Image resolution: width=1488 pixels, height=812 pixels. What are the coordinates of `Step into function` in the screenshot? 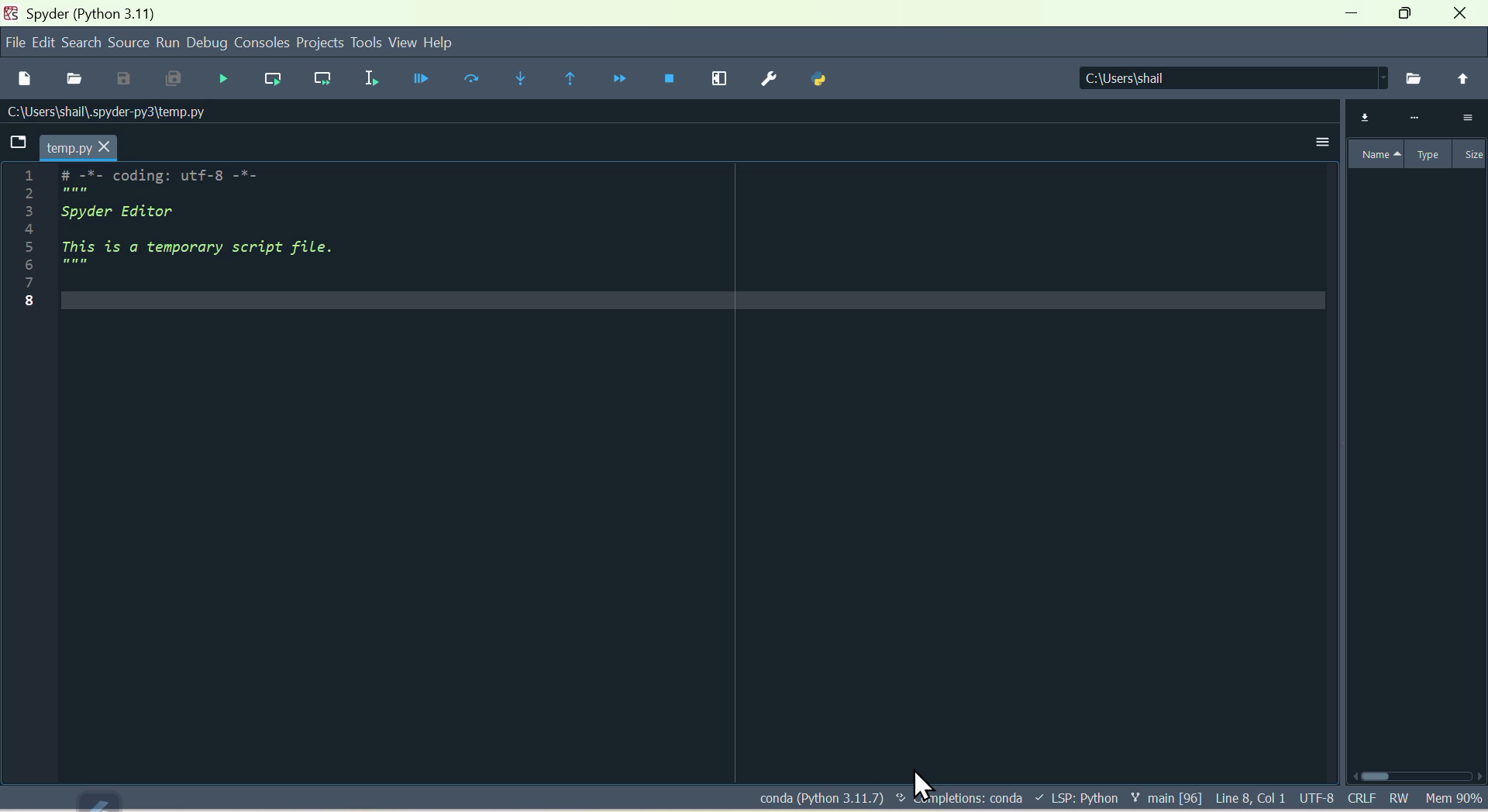 It's located at (517, 75).